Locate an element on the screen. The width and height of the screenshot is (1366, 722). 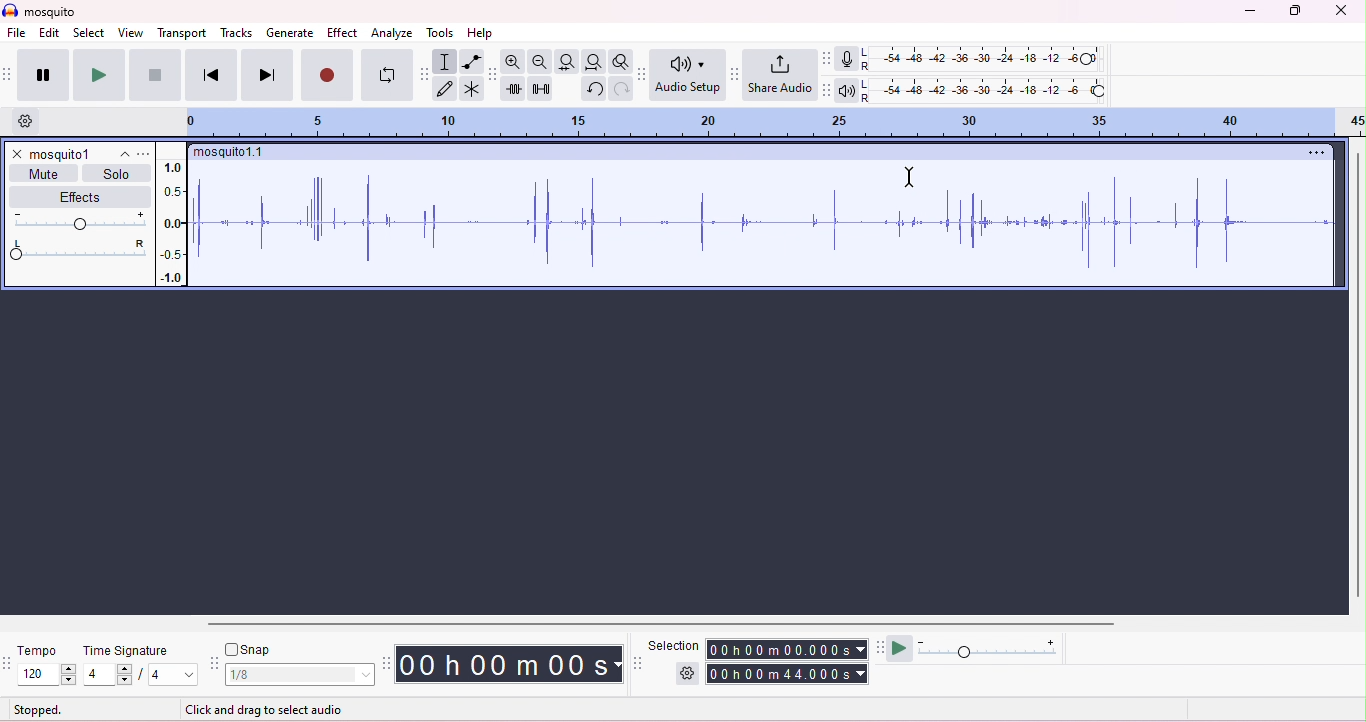
snap tool bar is located at coordinates (215, 665).